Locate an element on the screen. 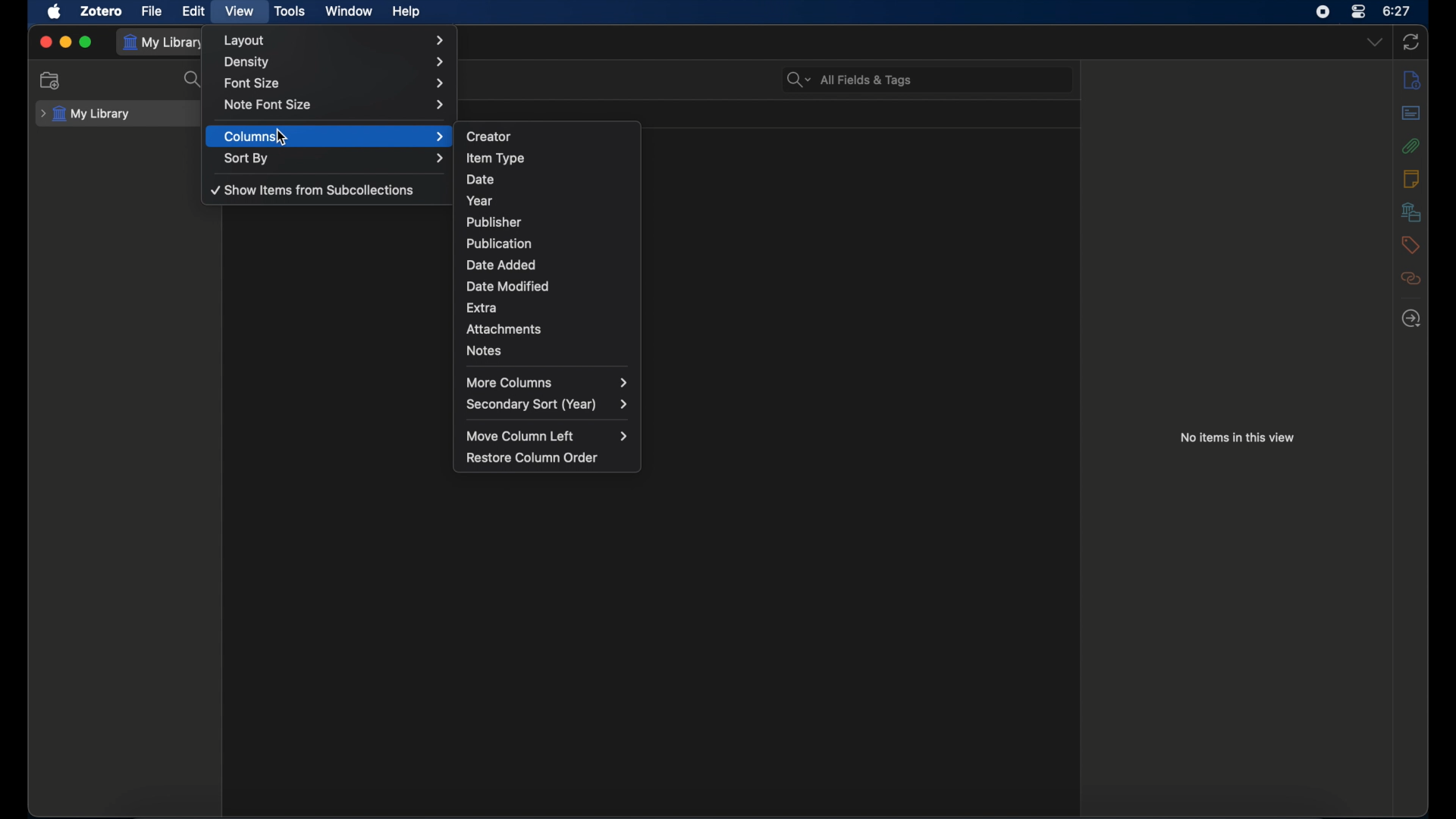 The image size is (1456, 819). file is located at coordinates (152, 11).